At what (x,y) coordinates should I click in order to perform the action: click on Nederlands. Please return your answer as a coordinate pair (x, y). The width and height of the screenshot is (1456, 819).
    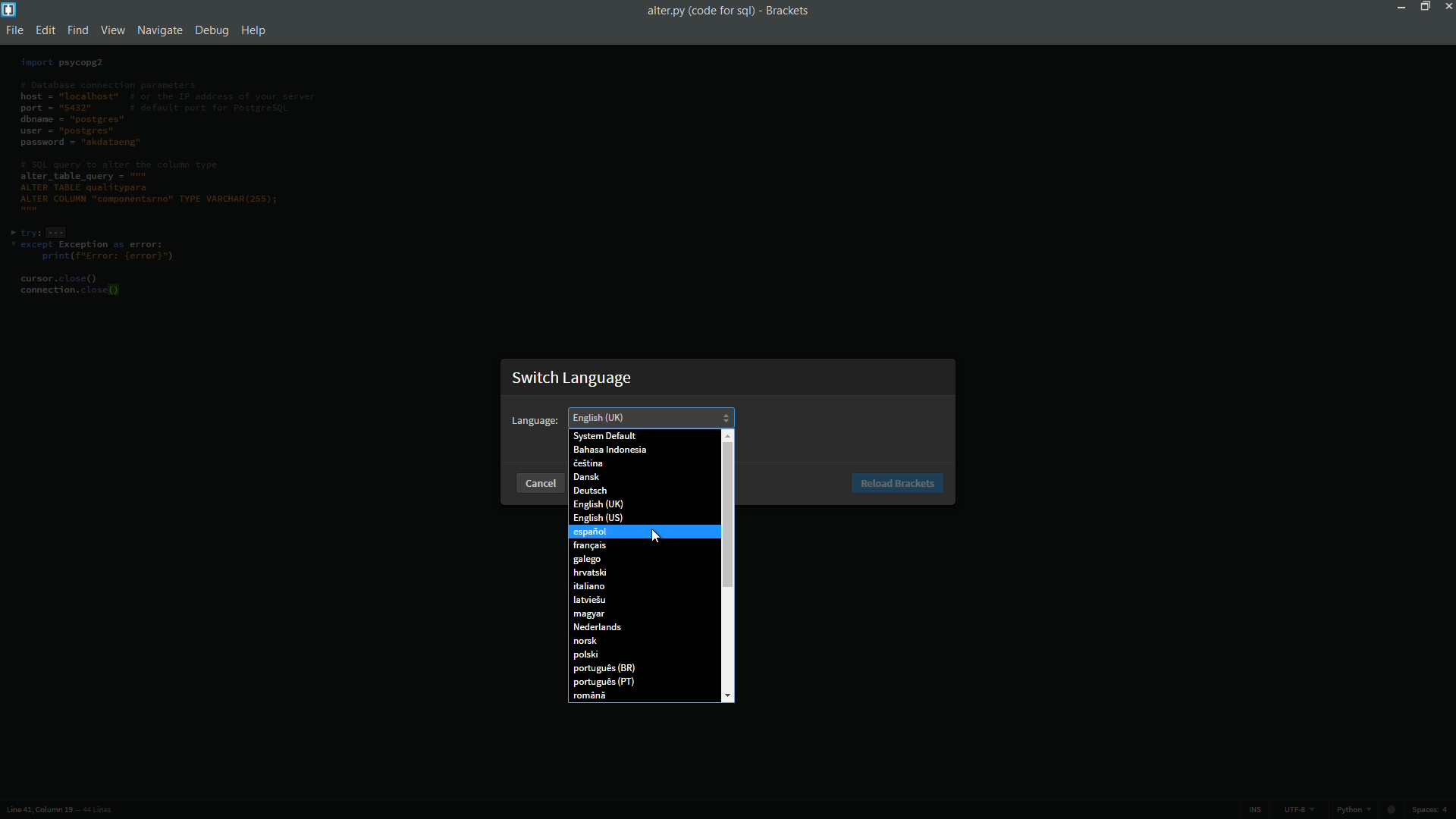
    Looking at the image, I should click on (645, 626).